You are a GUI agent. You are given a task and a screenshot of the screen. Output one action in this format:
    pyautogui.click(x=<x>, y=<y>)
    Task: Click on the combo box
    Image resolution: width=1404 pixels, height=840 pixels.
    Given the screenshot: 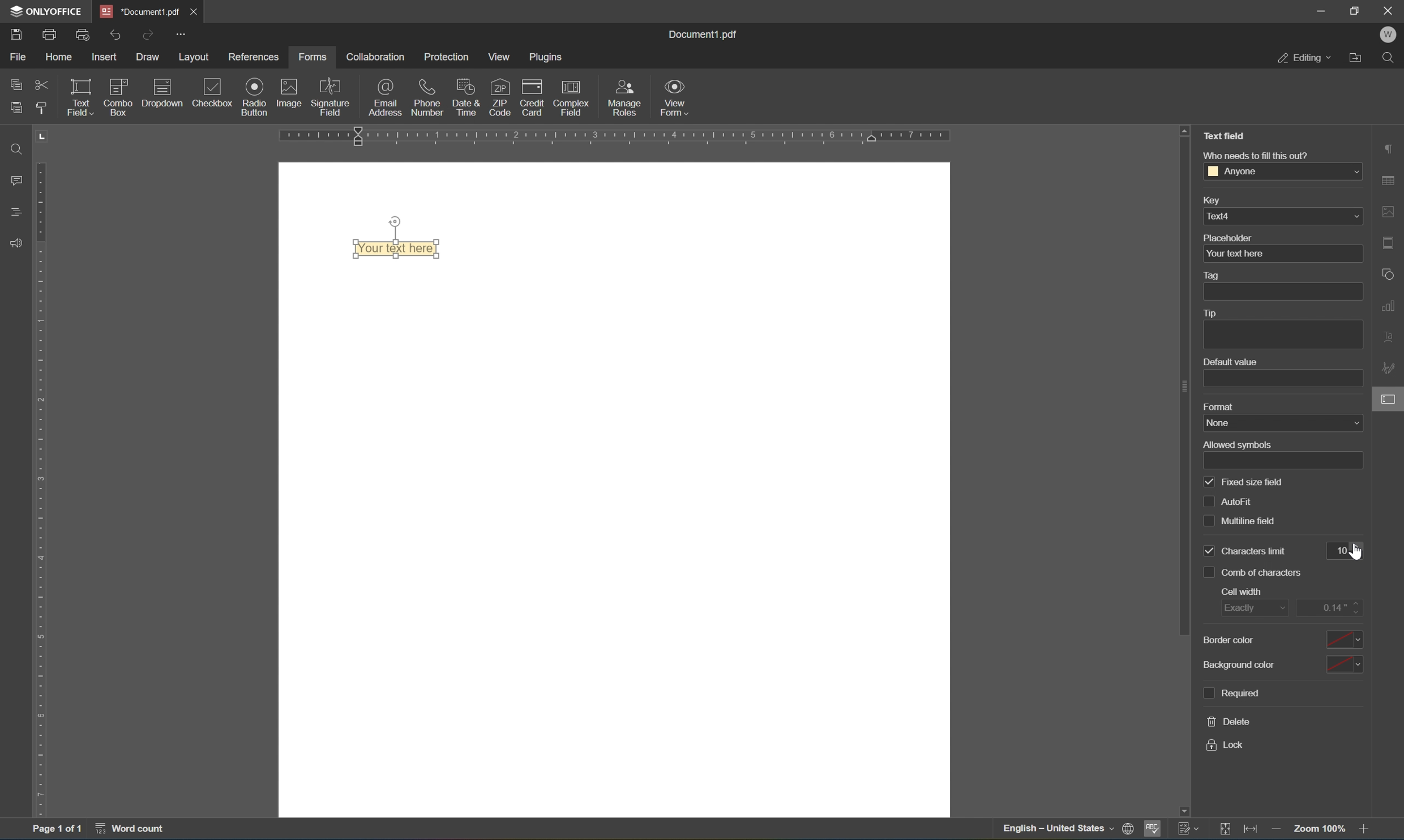 What is the action you would take?
    pyautogui.click(x=121, y=91)
    